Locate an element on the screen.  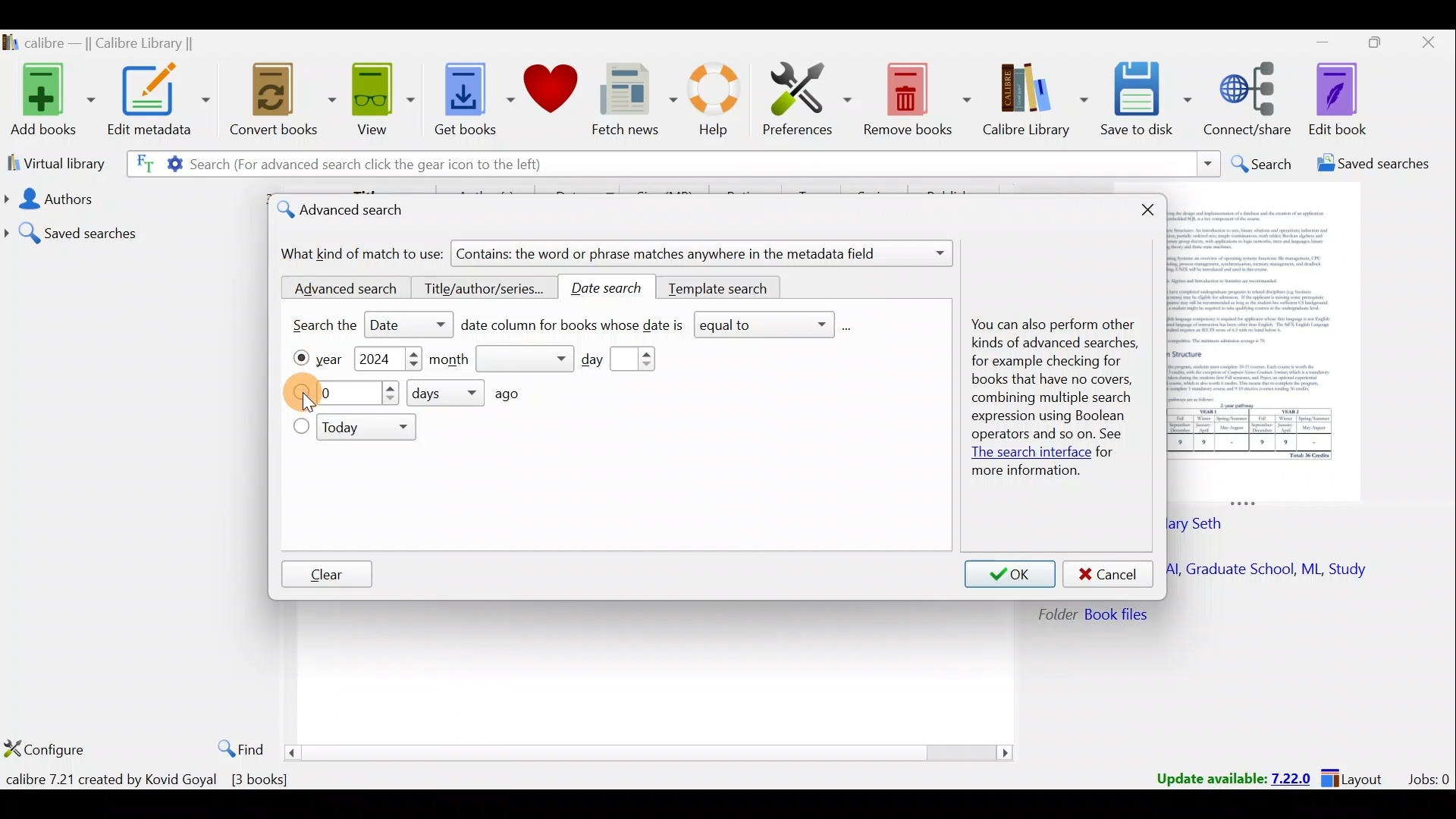
Preferences is located at coordinates (809, 96).